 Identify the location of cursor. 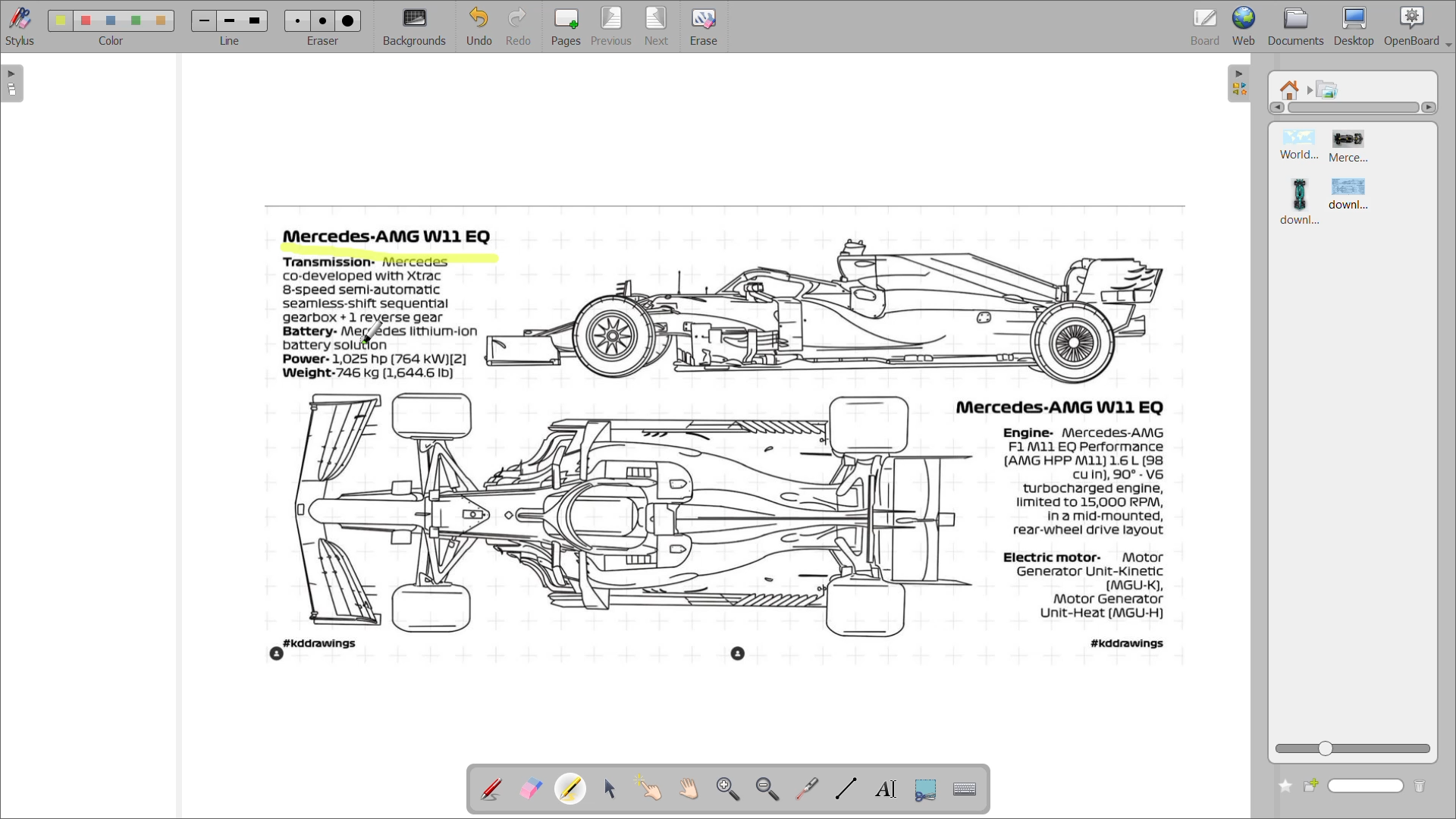
(372, 334).